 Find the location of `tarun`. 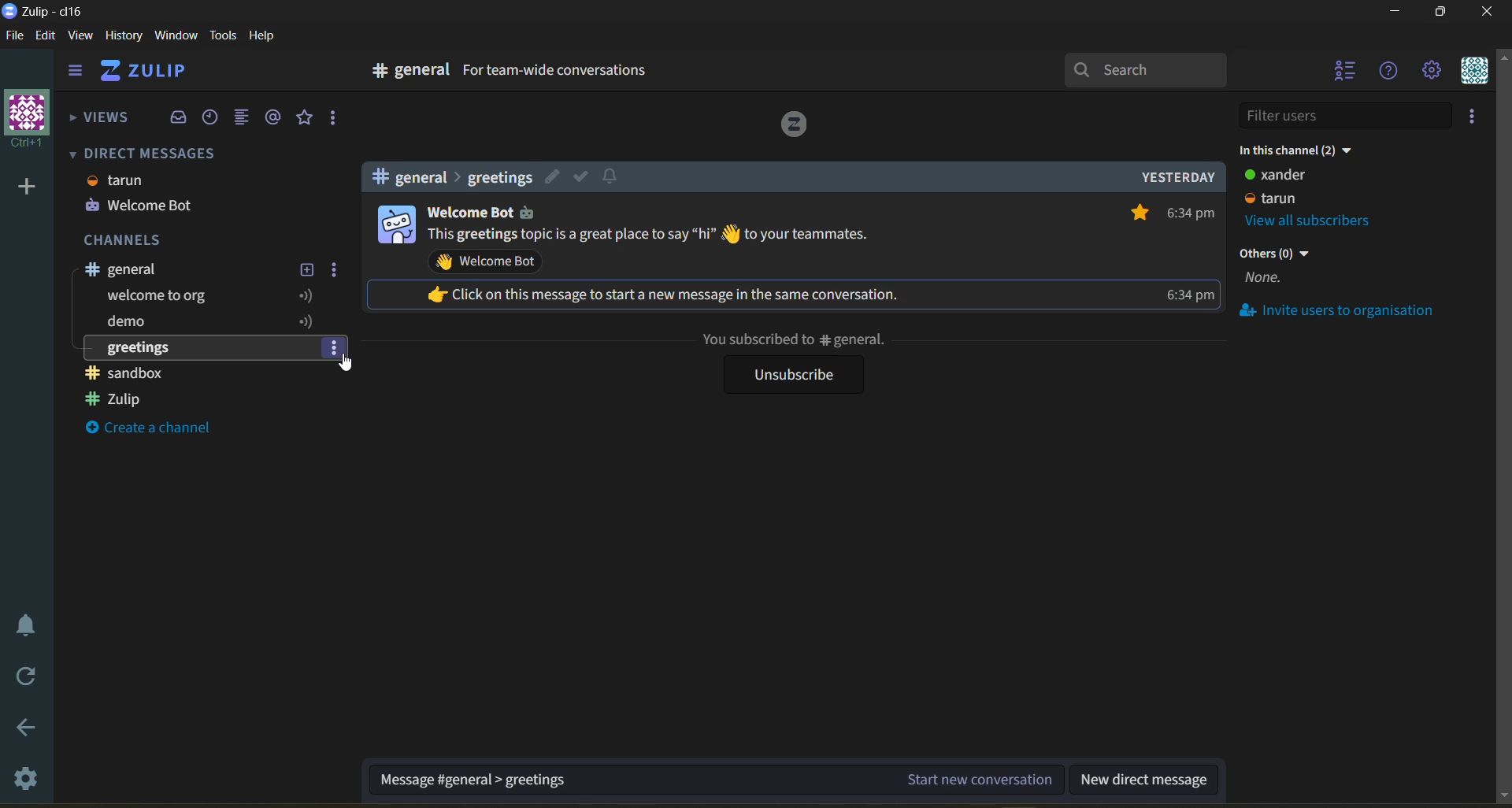

tarun is located at coordinates (121, 182).